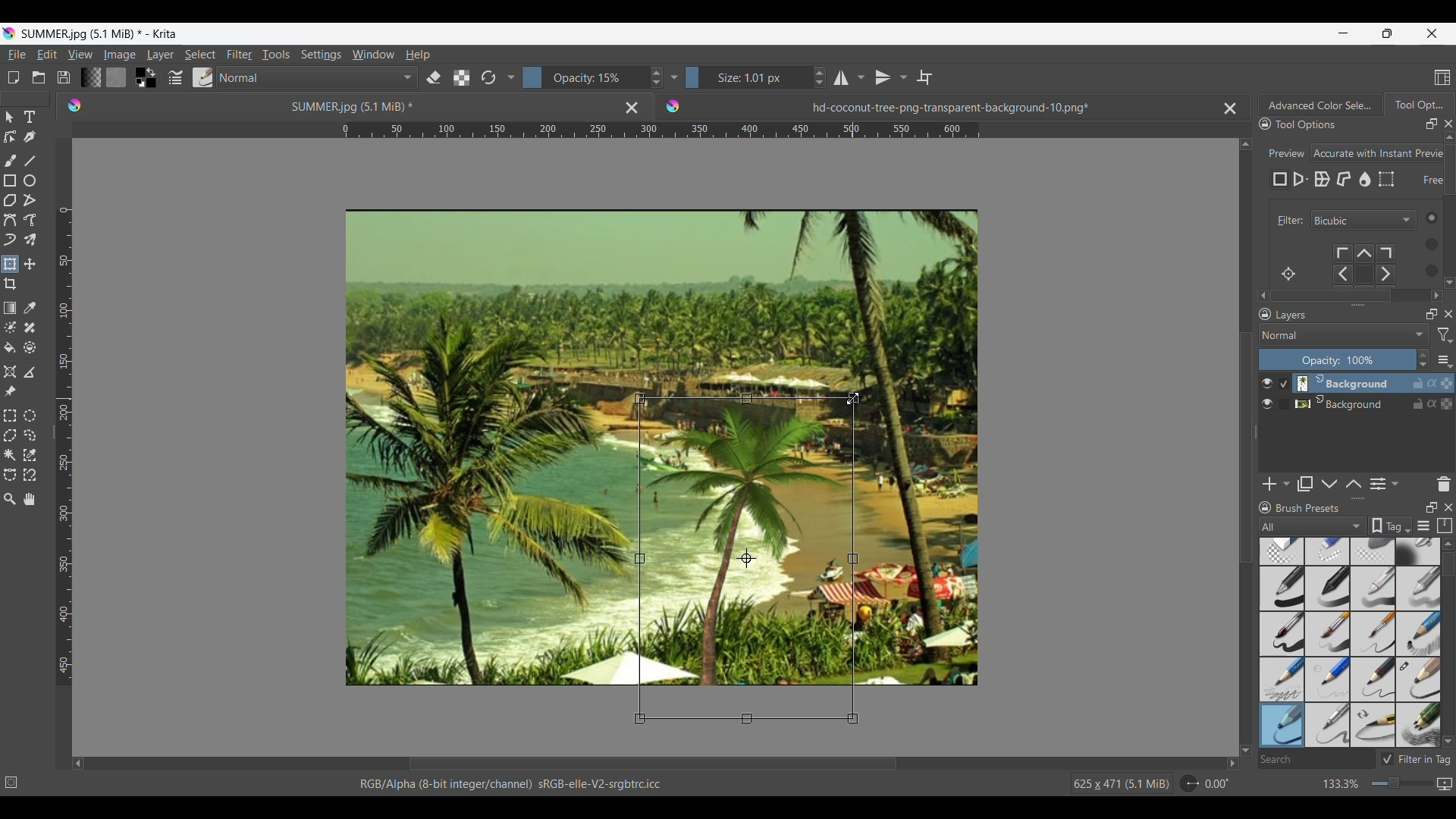 This screenshot has height=819, width=1456. I want to click on Freehand brush tool, so click(10, 160).